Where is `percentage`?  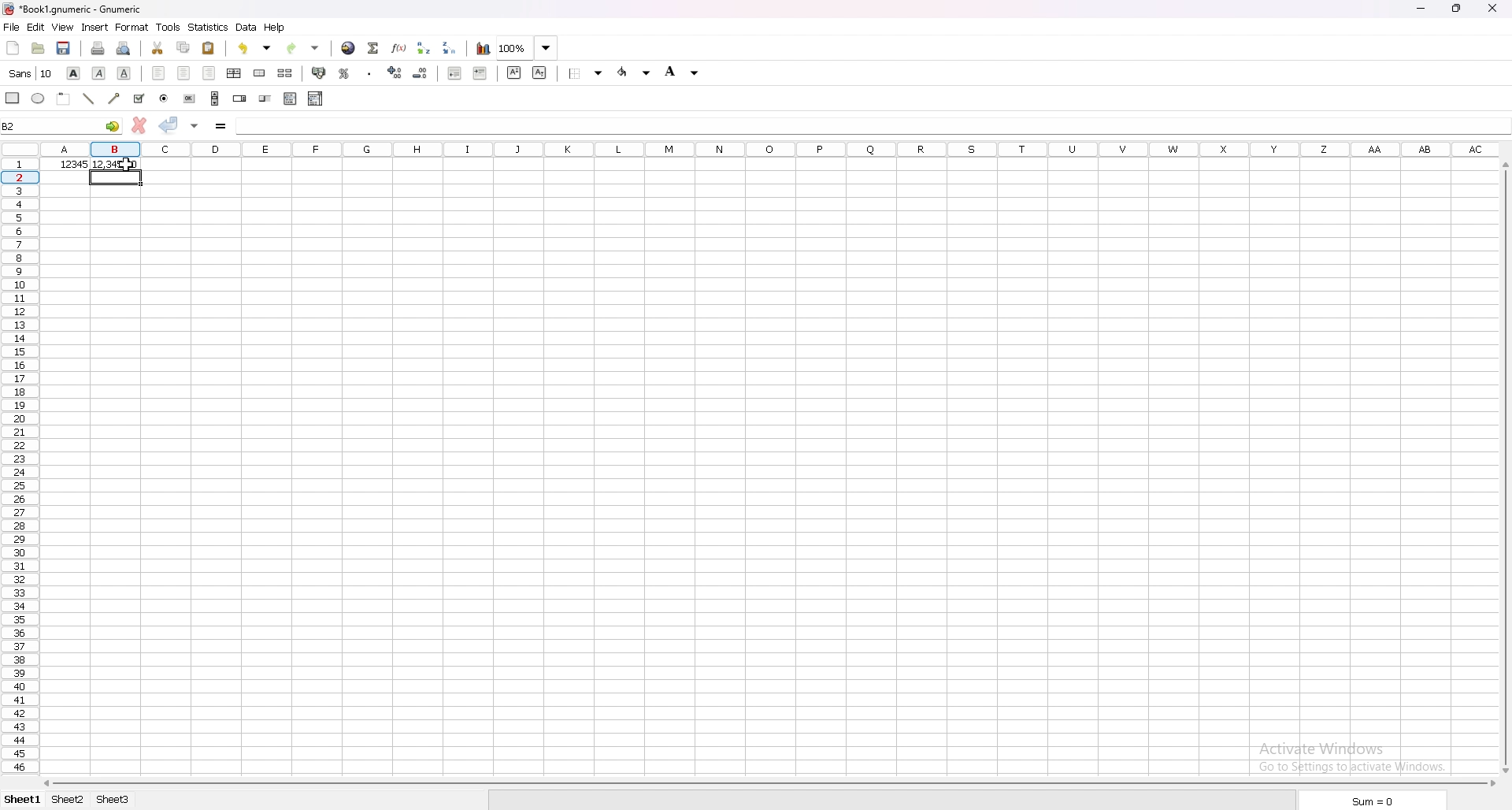 percentage is located at coordinates (344, 72).